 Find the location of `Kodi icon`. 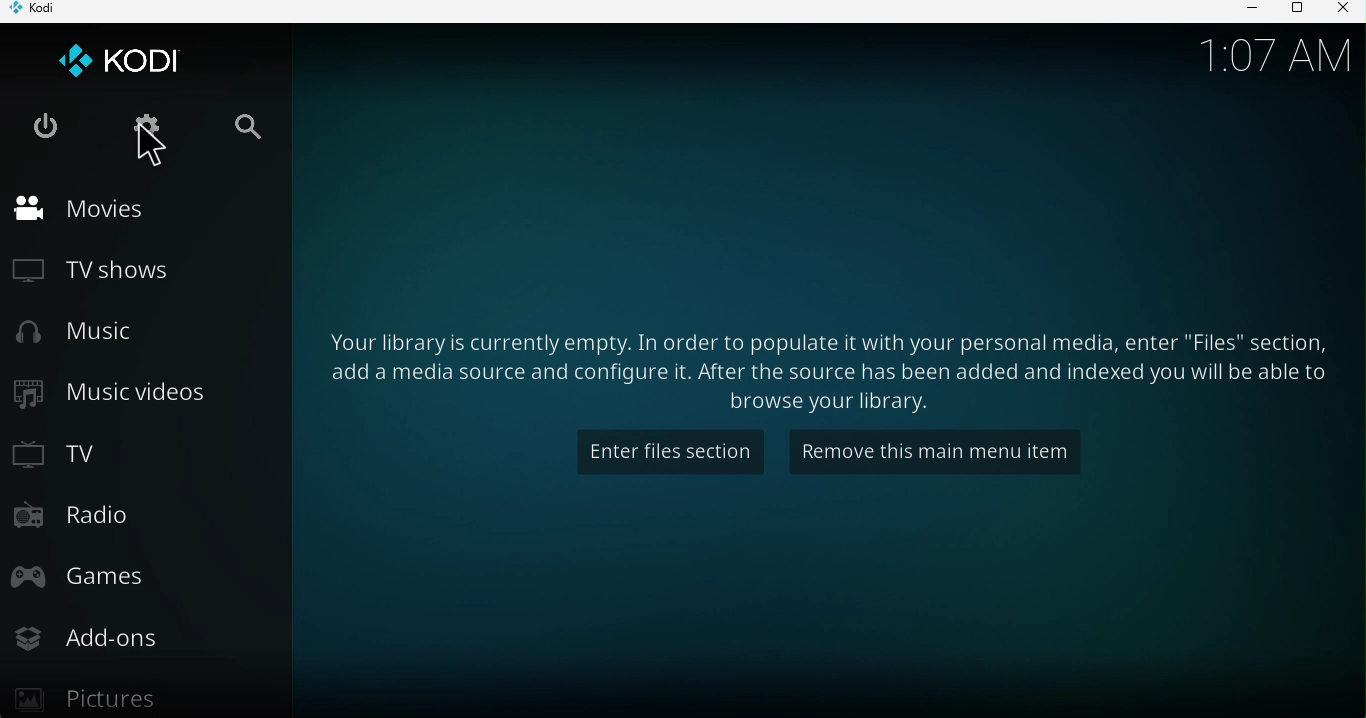

Kodi icon is located at coordinates (42, 12).